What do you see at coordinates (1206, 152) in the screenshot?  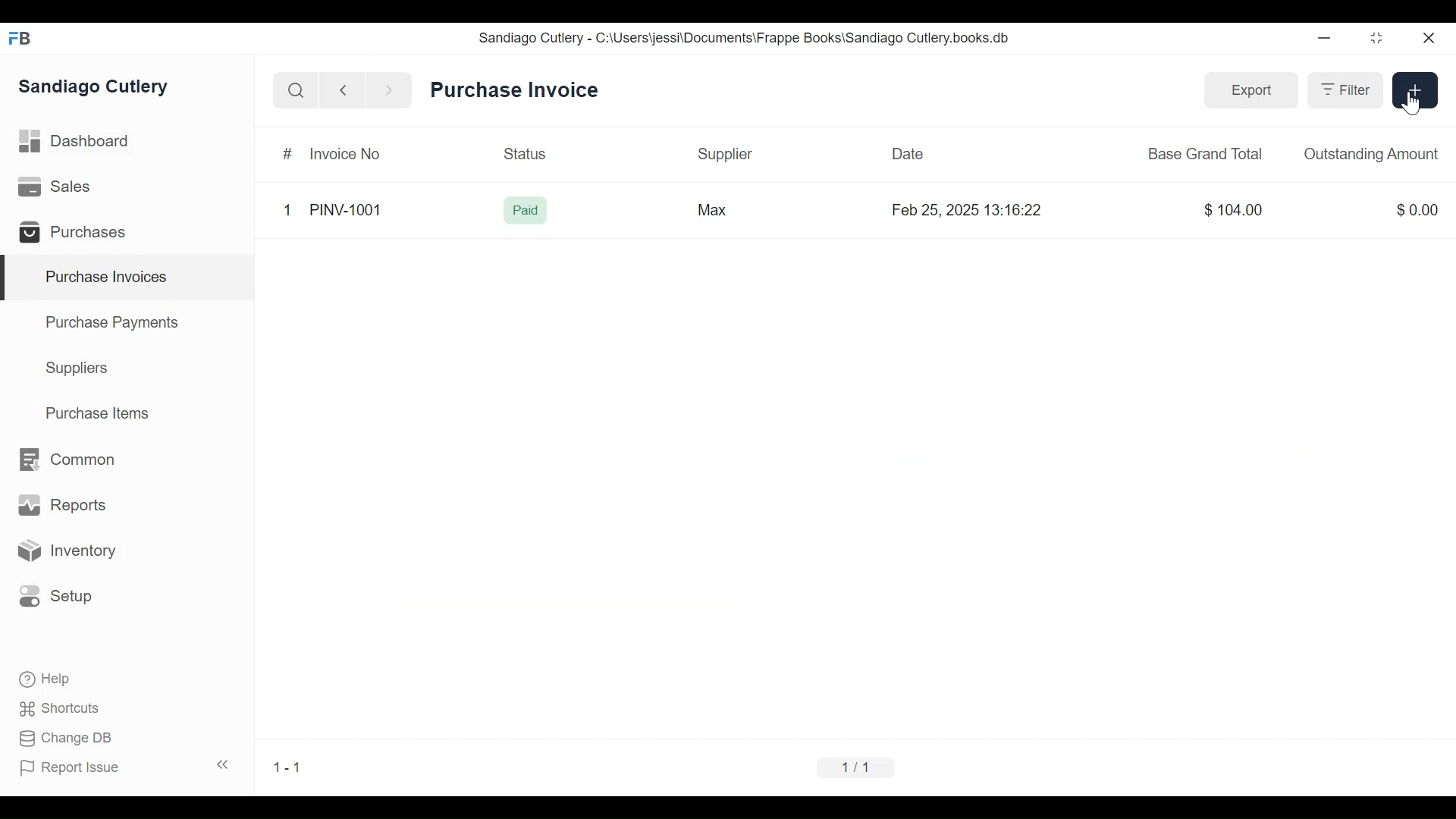 I see `Base Grand Total` at bounding box center [1206, 152].